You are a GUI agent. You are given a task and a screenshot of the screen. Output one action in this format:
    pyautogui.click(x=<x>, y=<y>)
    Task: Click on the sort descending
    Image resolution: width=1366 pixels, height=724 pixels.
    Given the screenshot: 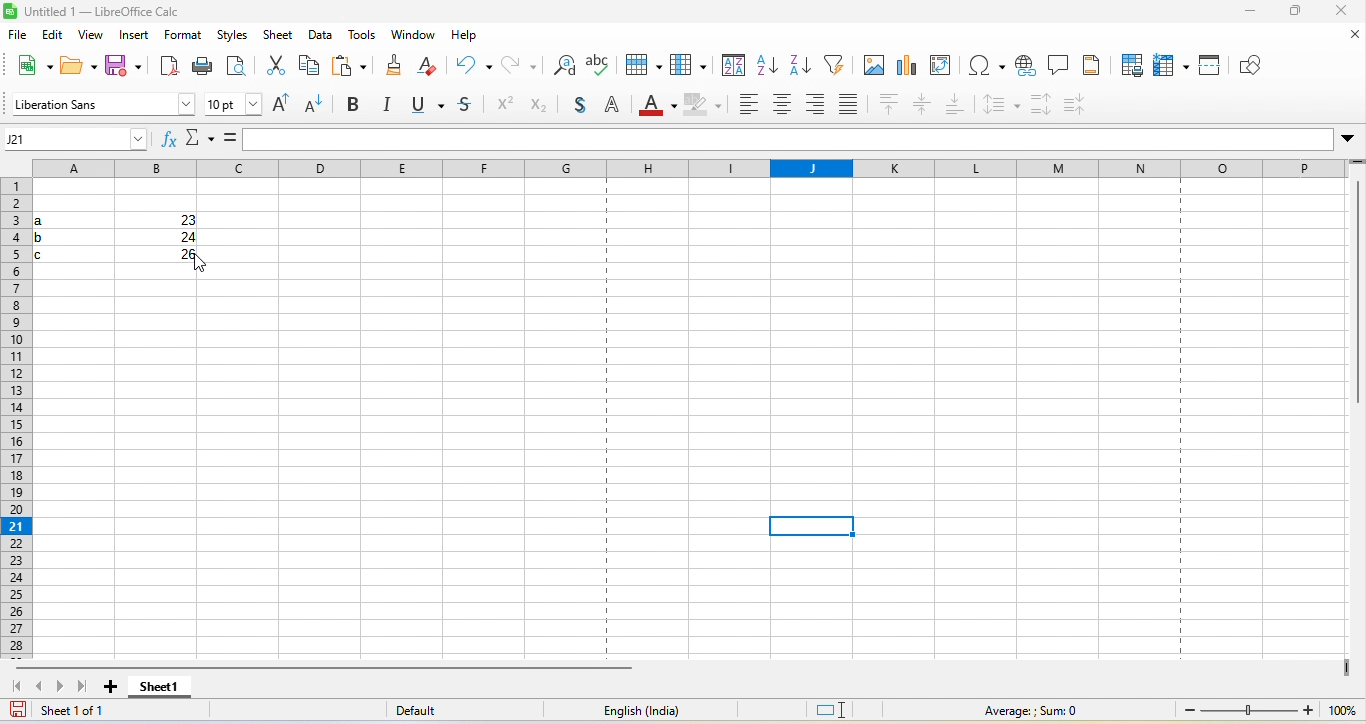 What is the action you would take?
    pyautogui.click(x=800, y=67)
    